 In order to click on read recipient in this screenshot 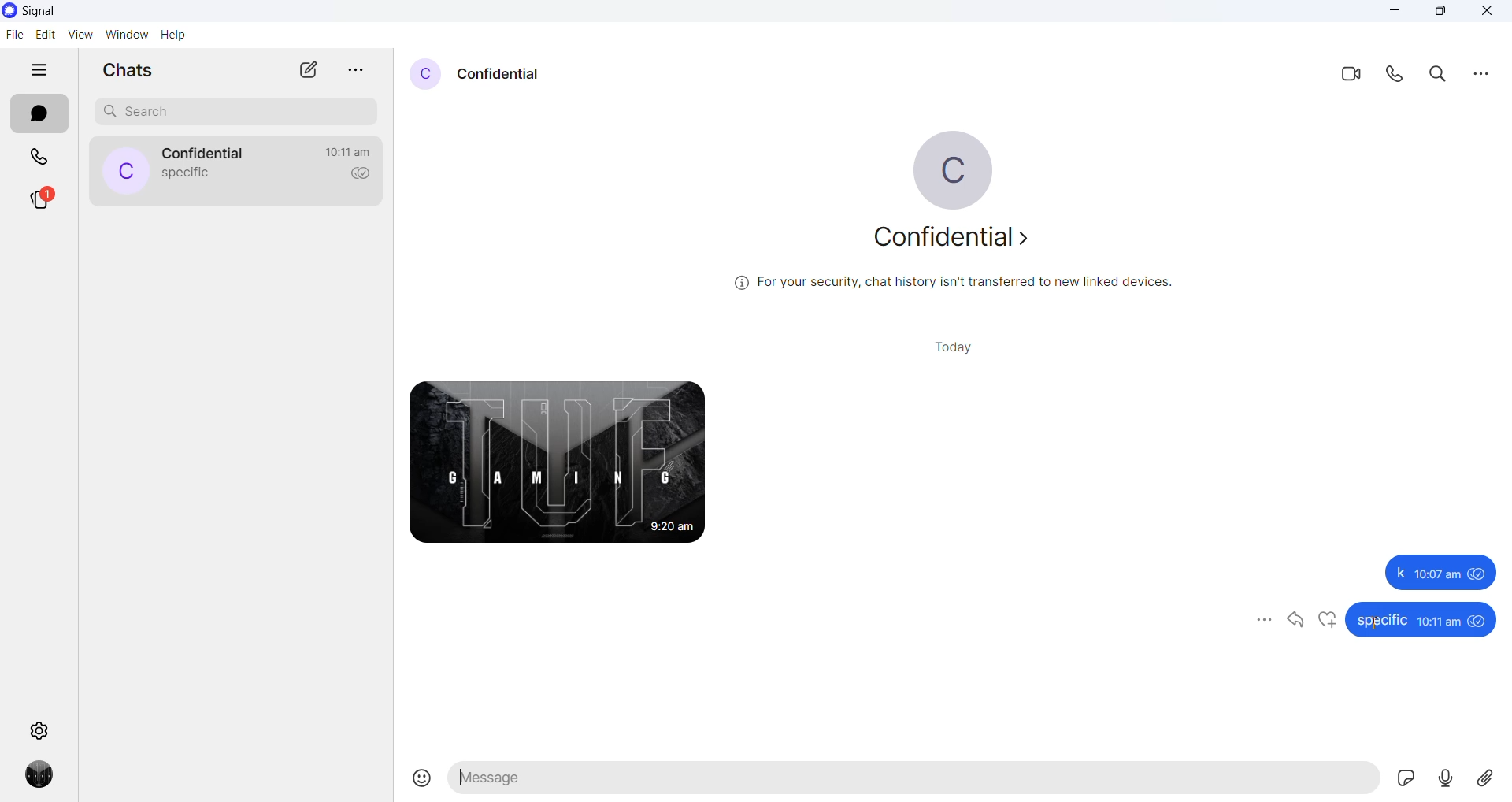, I will do `click(362, 173)`.